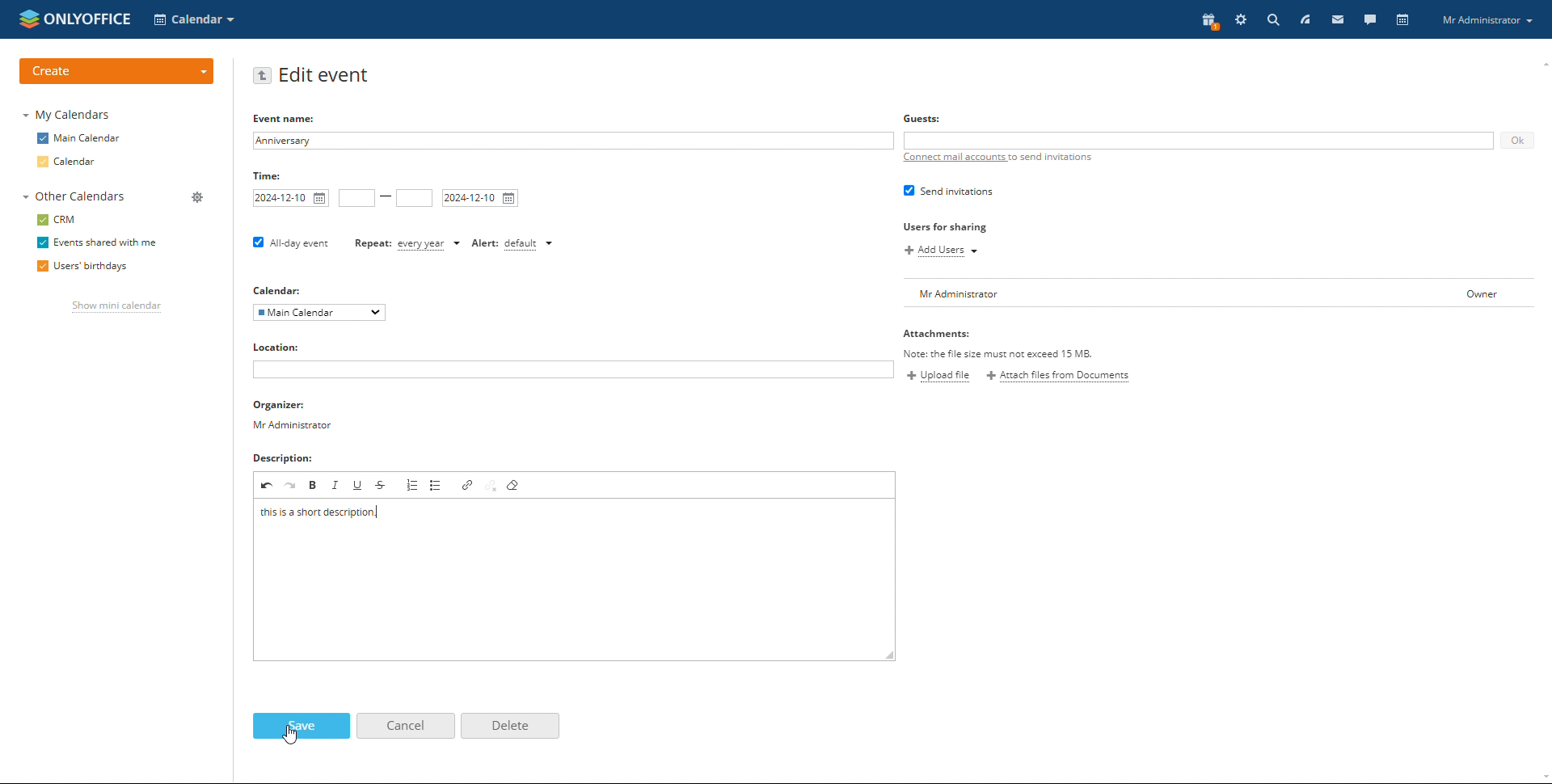  Describe the element at coordinates (263, 75) in the screenshot. I see `go back` at that location.